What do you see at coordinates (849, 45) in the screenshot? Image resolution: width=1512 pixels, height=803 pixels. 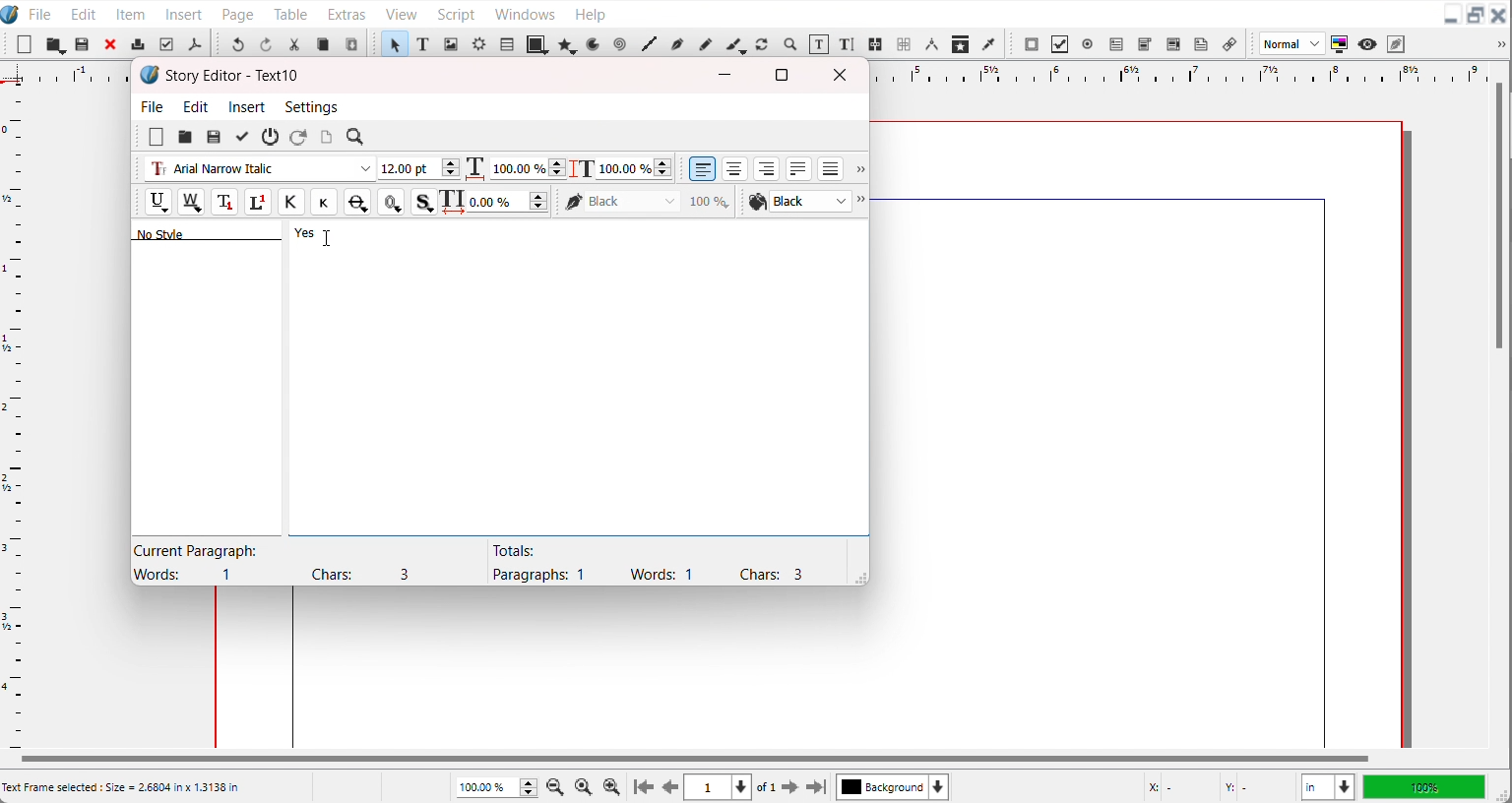 I see `Edit Text` at bounding box center [849, 45].